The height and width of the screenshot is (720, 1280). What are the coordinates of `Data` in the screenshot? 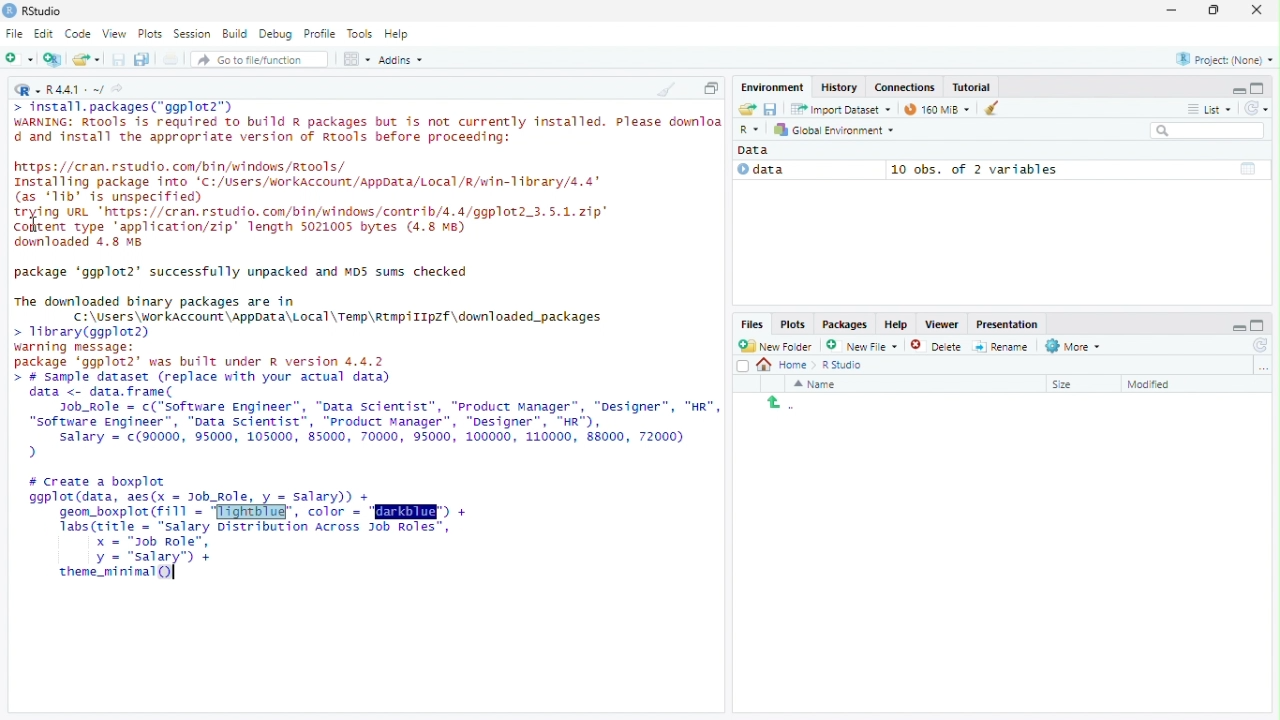 It's located at (759, 150).